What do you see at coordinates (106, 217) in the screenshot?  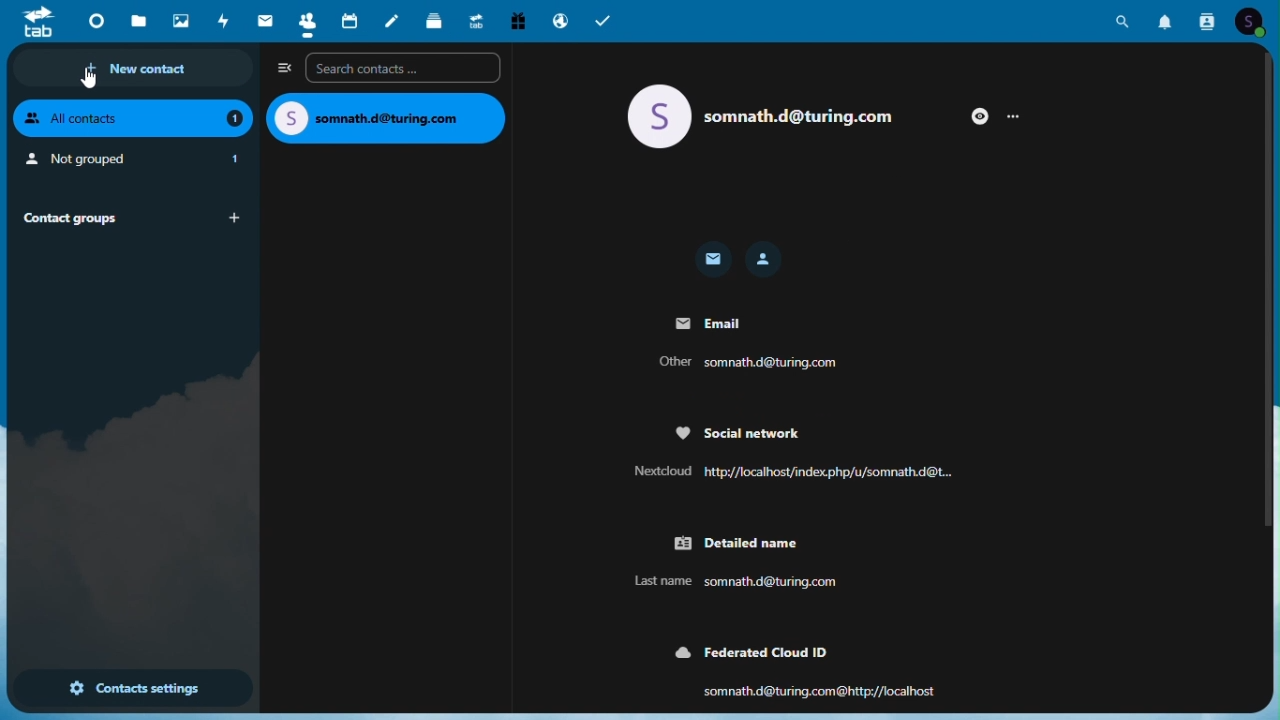 I see `Contact groups` at bounding box center [106, 217].